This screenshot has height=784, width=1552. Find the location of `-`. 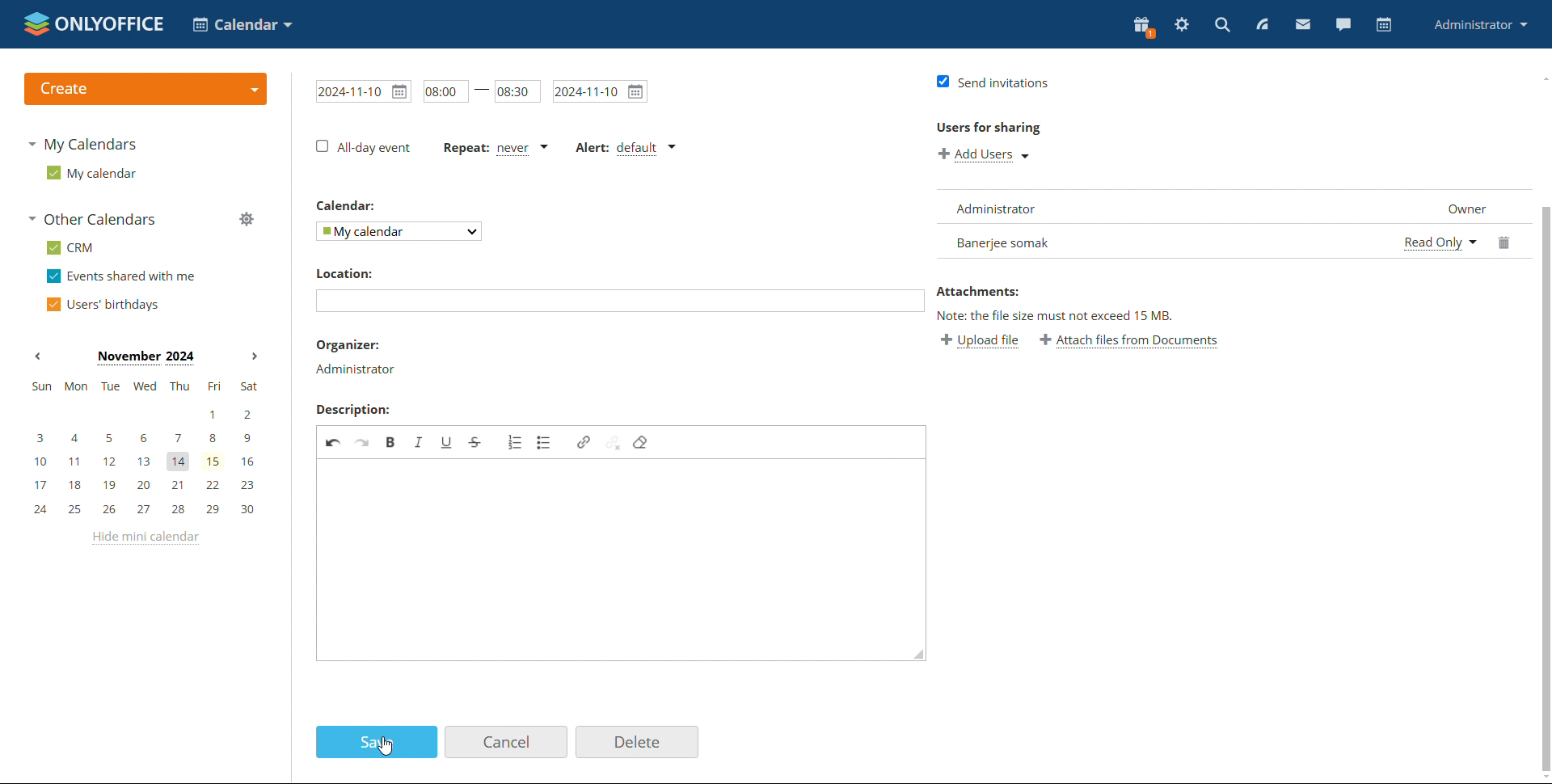

- is located at coordinates (482, 95).